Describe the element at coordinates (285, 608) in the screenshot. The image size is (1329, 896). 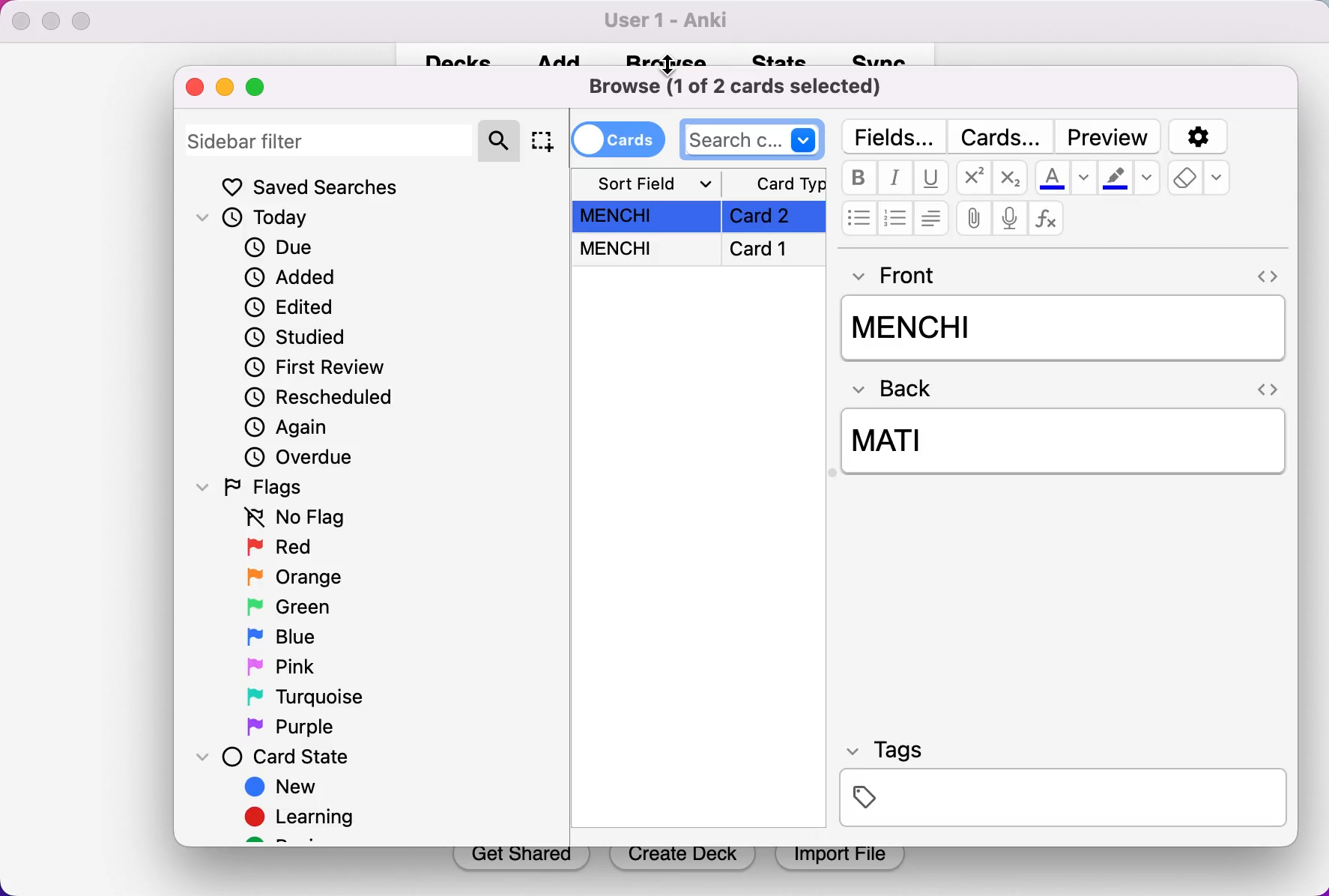
I see `green` at that location.